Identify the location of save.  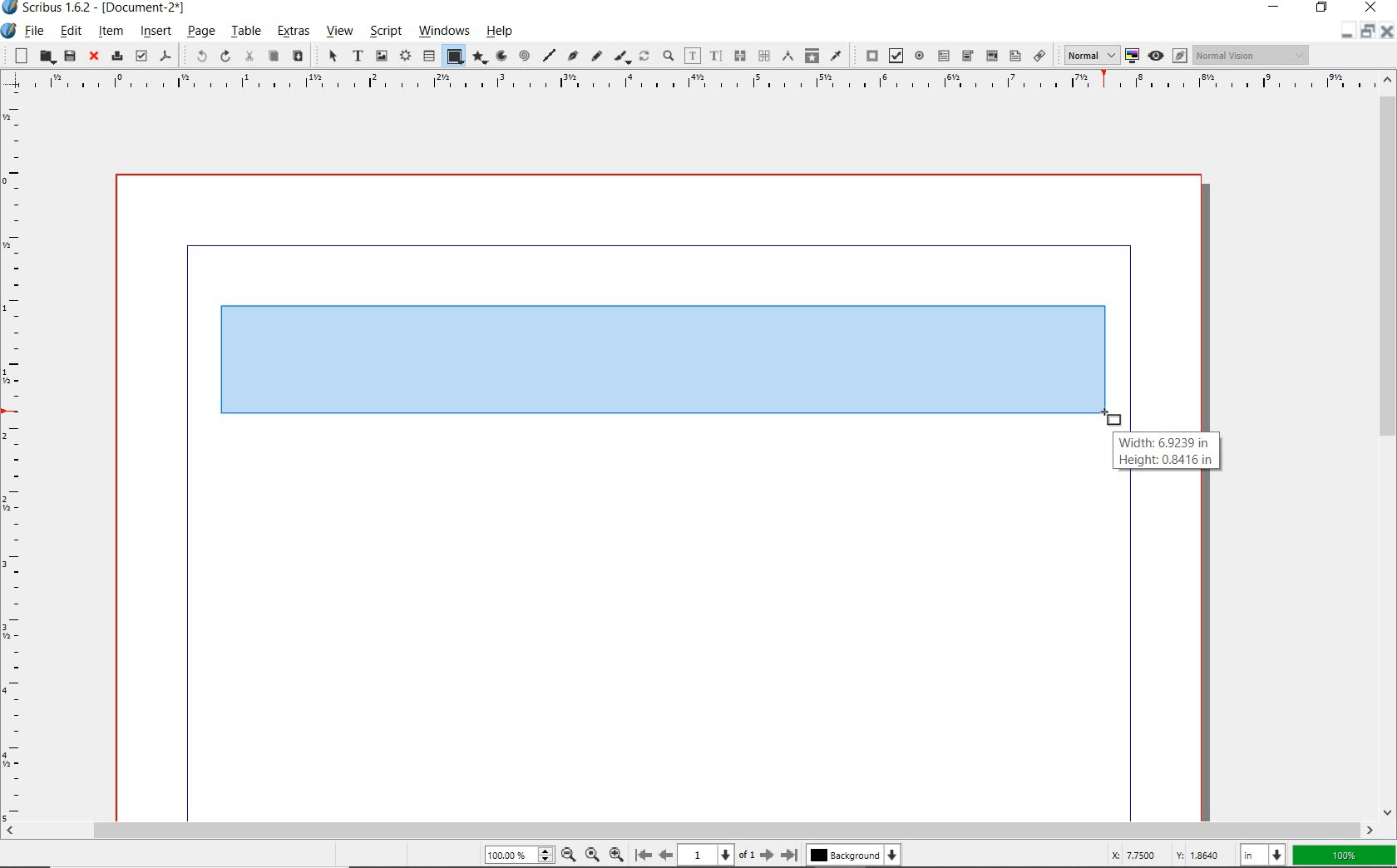
(70, 56).